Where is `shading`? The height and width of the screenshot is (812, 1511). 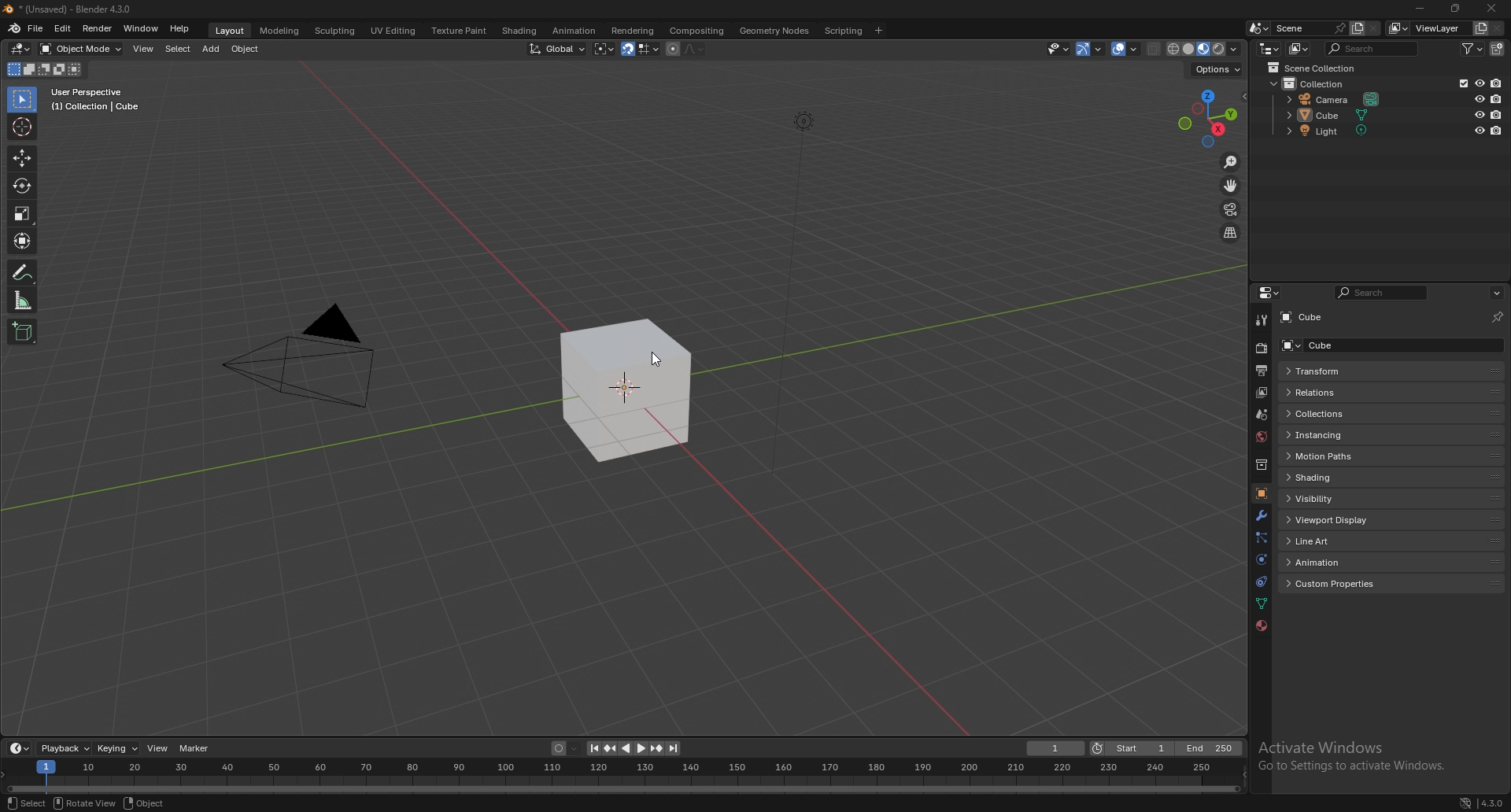
shading is located at coordinates (1389, 477).